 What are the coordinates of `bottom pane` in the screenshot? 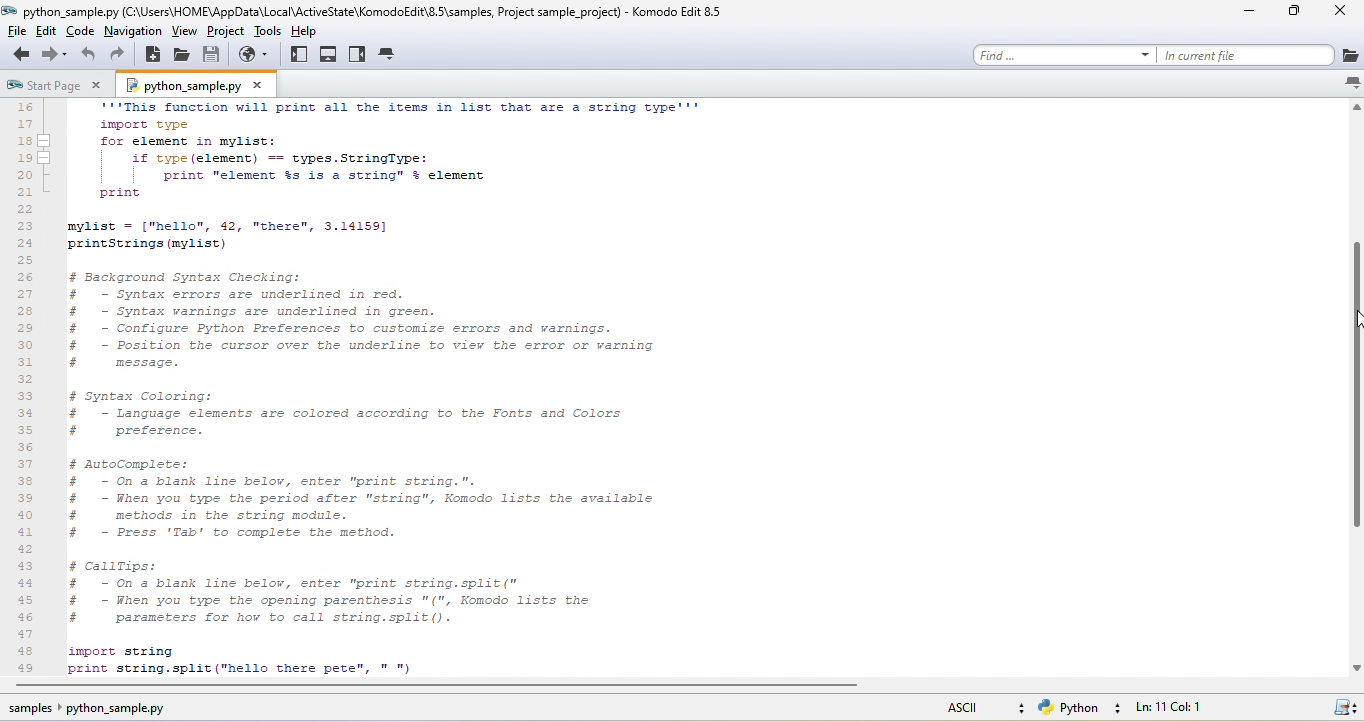 It's located at (329, 55).